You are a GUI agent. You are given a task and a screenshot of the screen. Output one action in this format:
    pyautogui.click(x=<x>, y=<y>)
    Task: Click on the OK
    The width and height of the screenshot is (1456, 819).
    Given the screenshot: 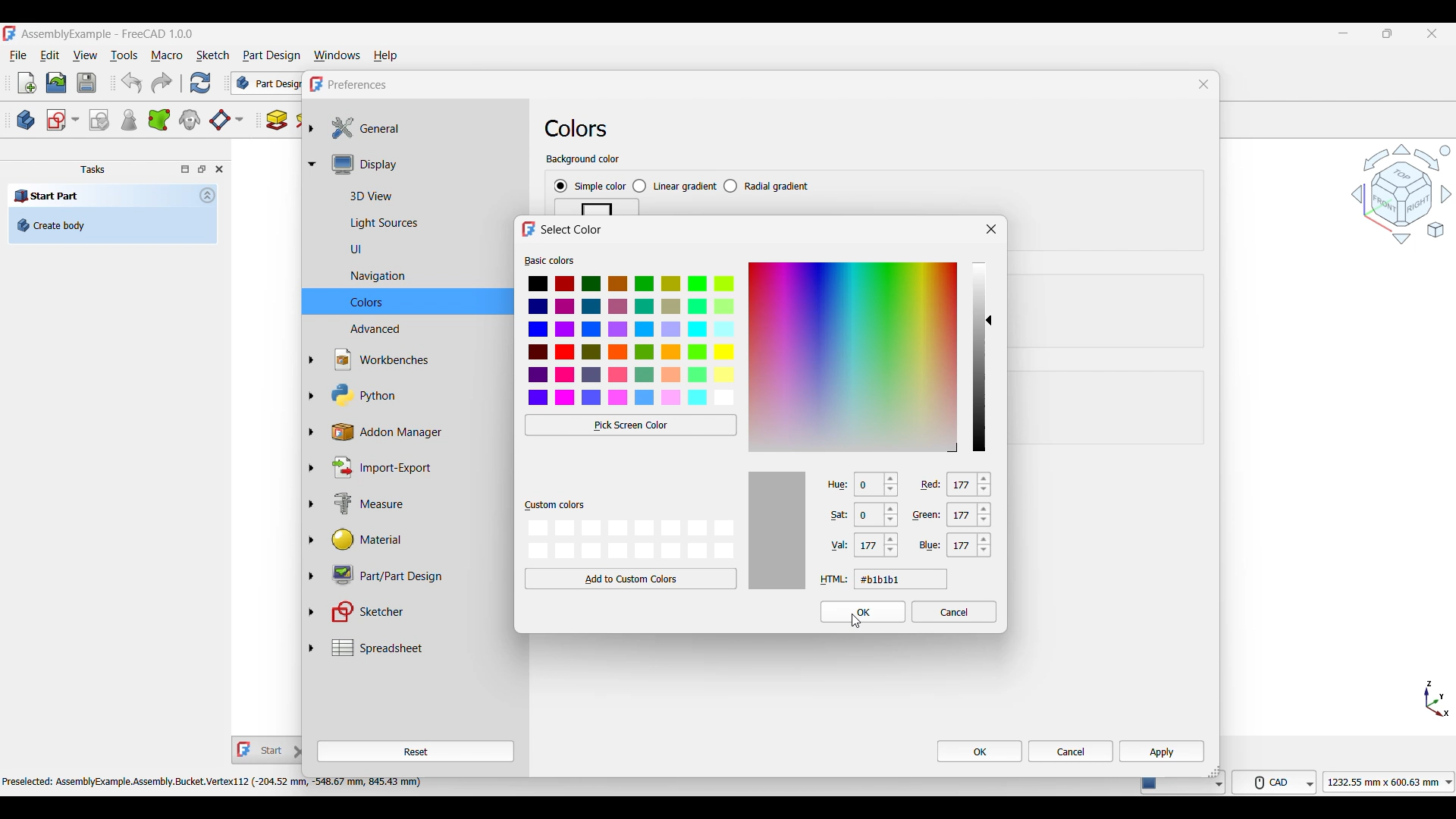 What is the action you would take?
    pyautogui.click(x=980, y=751)
    